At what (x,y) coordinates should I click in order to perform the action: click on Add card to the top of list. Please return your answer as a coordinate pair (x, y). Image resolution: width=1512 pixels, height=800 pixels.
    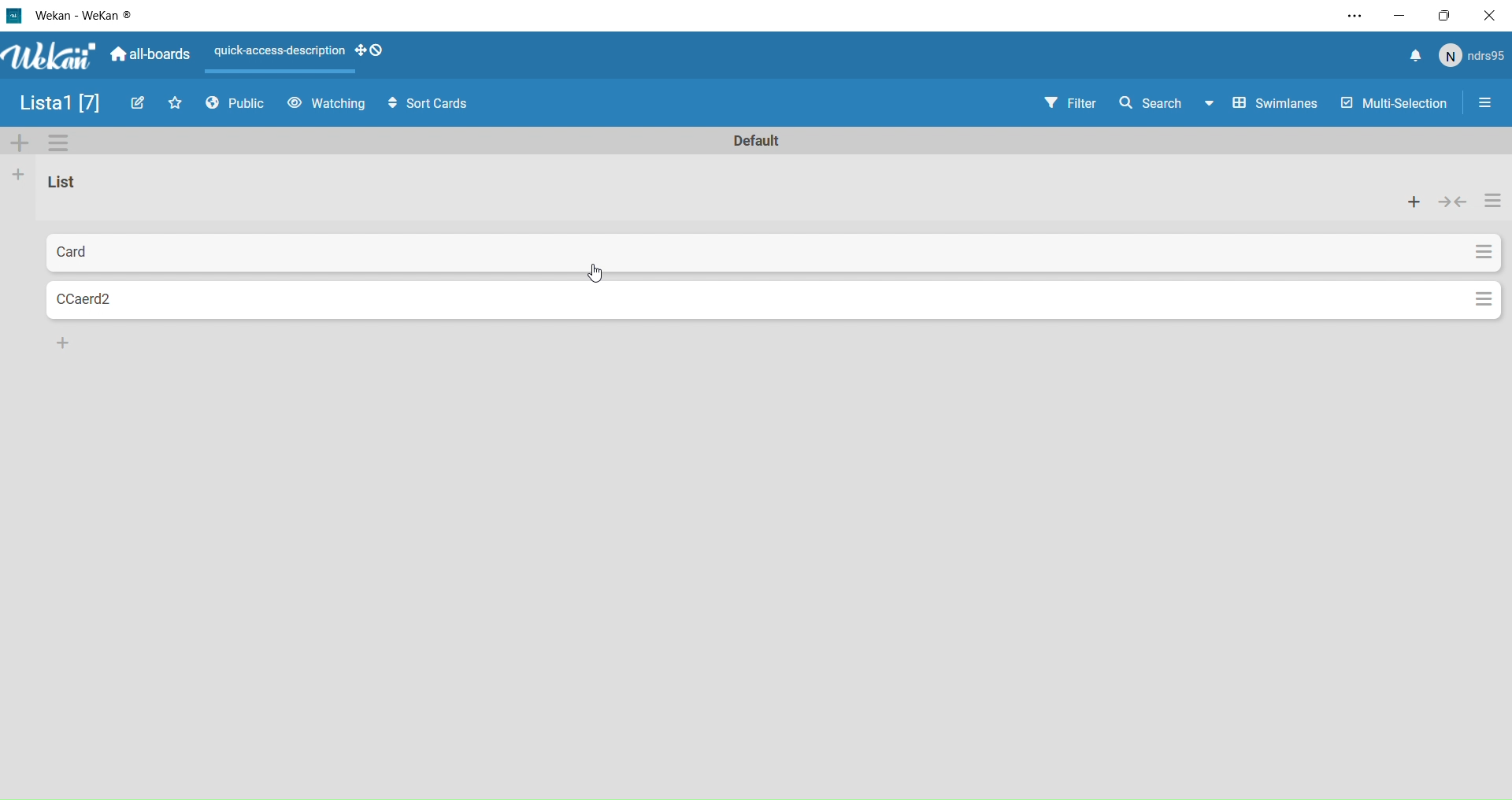
    Looking at the image, I should click on (1411, 202).